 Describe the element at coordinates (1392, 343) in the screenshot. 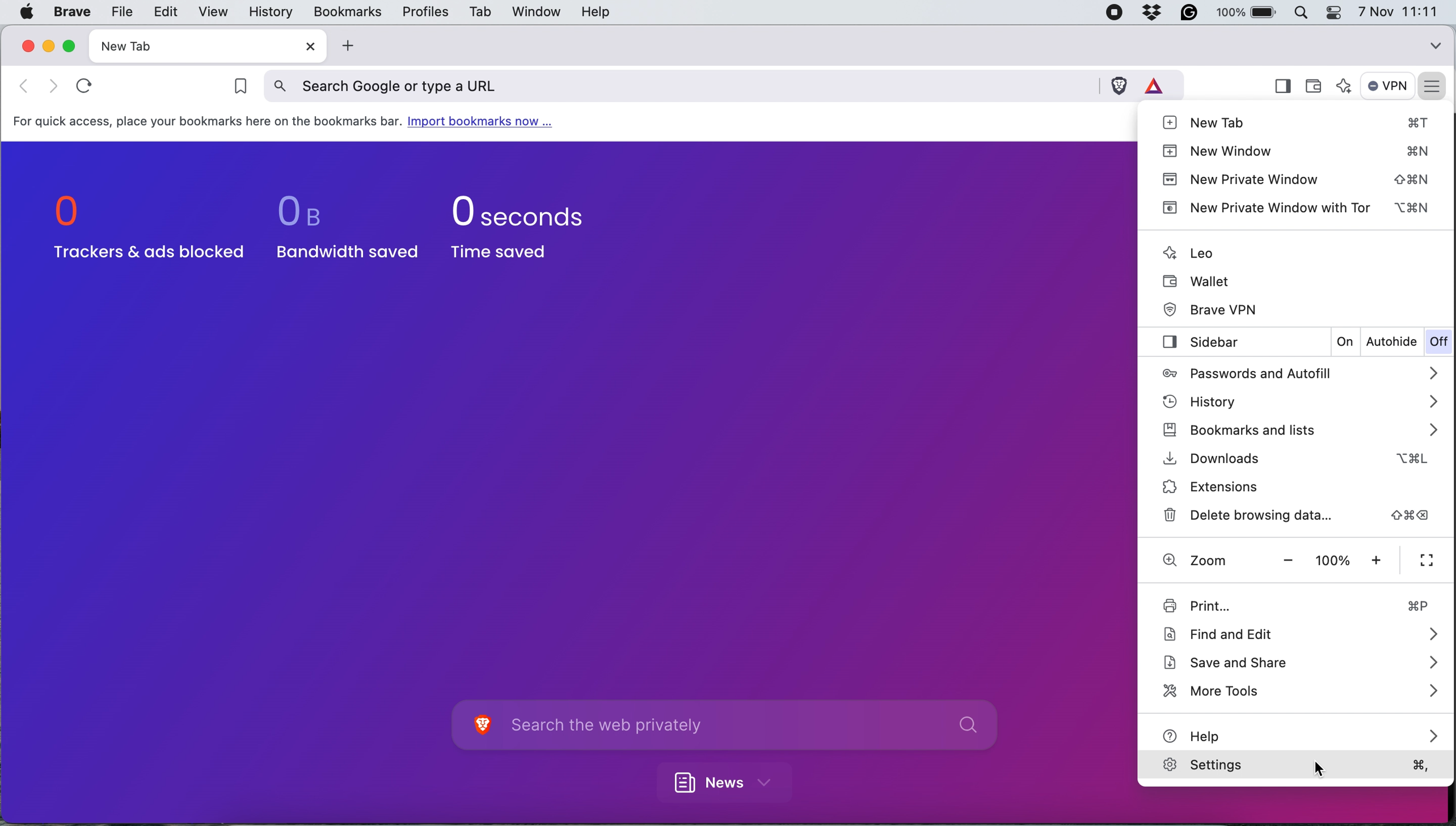

I see `autohide` at that location.